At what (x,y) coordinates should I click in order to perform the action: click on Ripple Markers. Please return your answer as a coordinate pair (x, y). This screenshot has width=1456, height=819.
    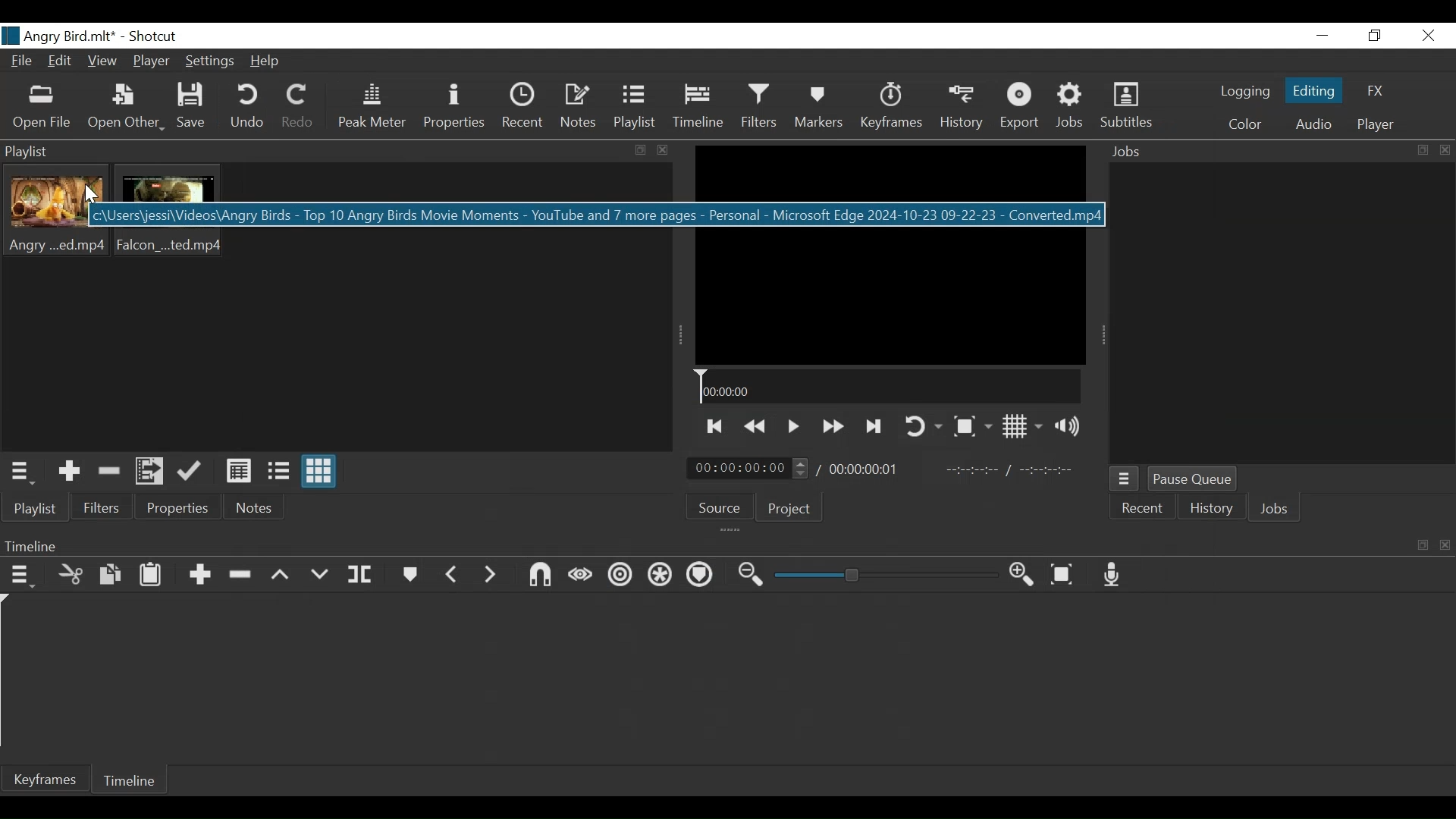
    Looking at the image, I should click on (702, 578).